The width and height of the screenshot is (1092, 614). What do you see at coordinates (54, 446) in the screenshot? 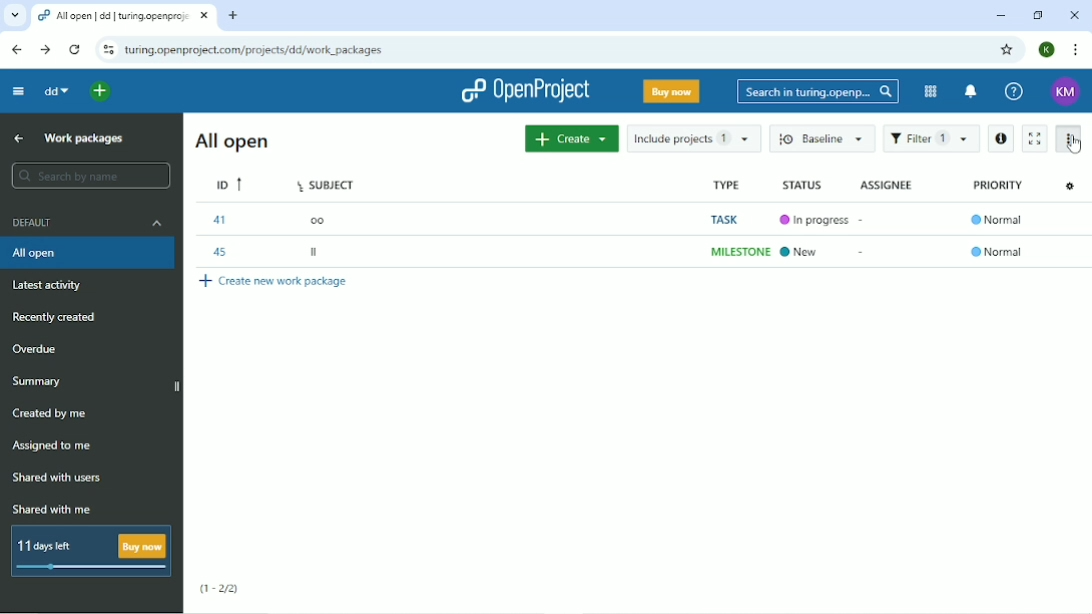
I see `Assigned to me` at bounding box center [54, 446].